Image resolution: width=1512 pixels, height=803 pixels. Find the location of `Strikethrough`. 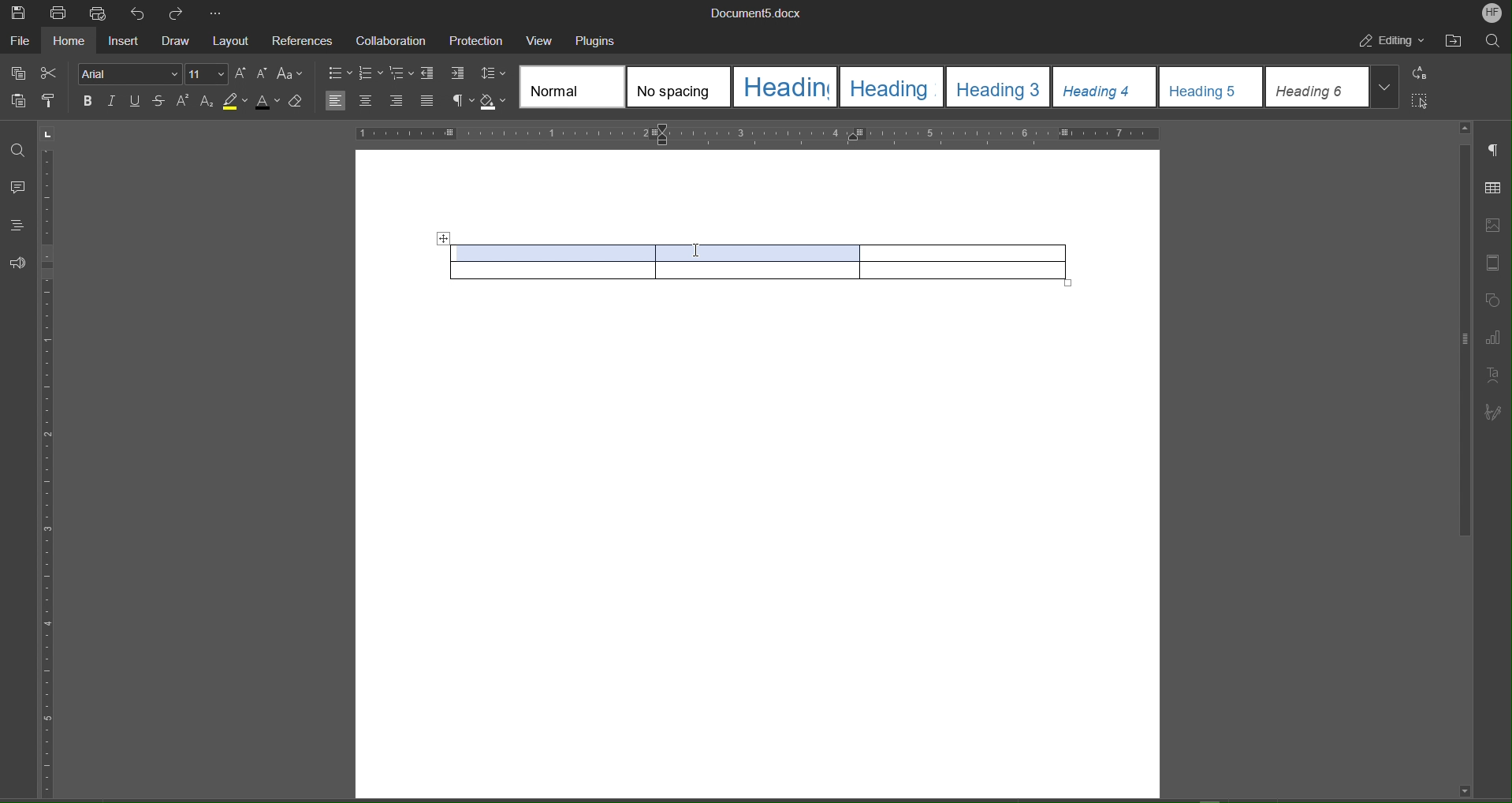

Strikethrough is located at coordinates (160, 102).